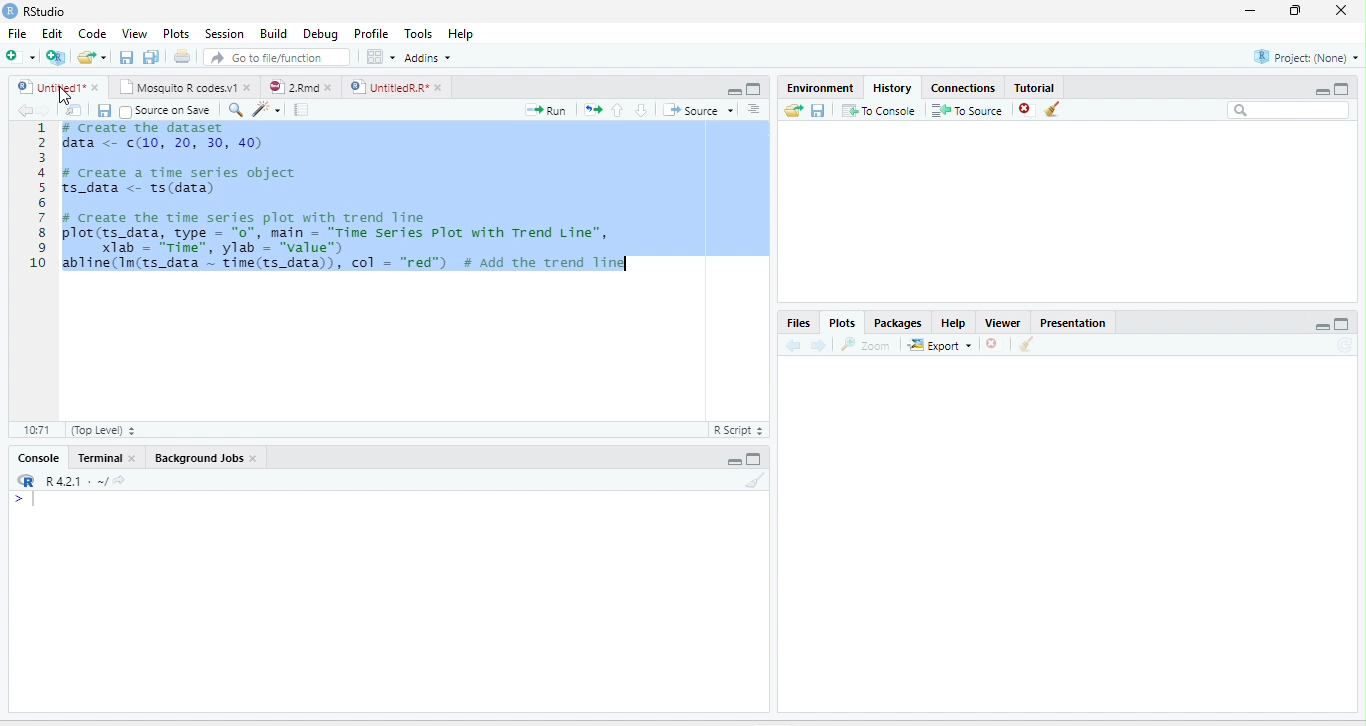 The height and width of the screenshot is (726, 1366). Describe the element at coordinates (818, 110) in the screenshot. I see `Save history into a file` at that location.